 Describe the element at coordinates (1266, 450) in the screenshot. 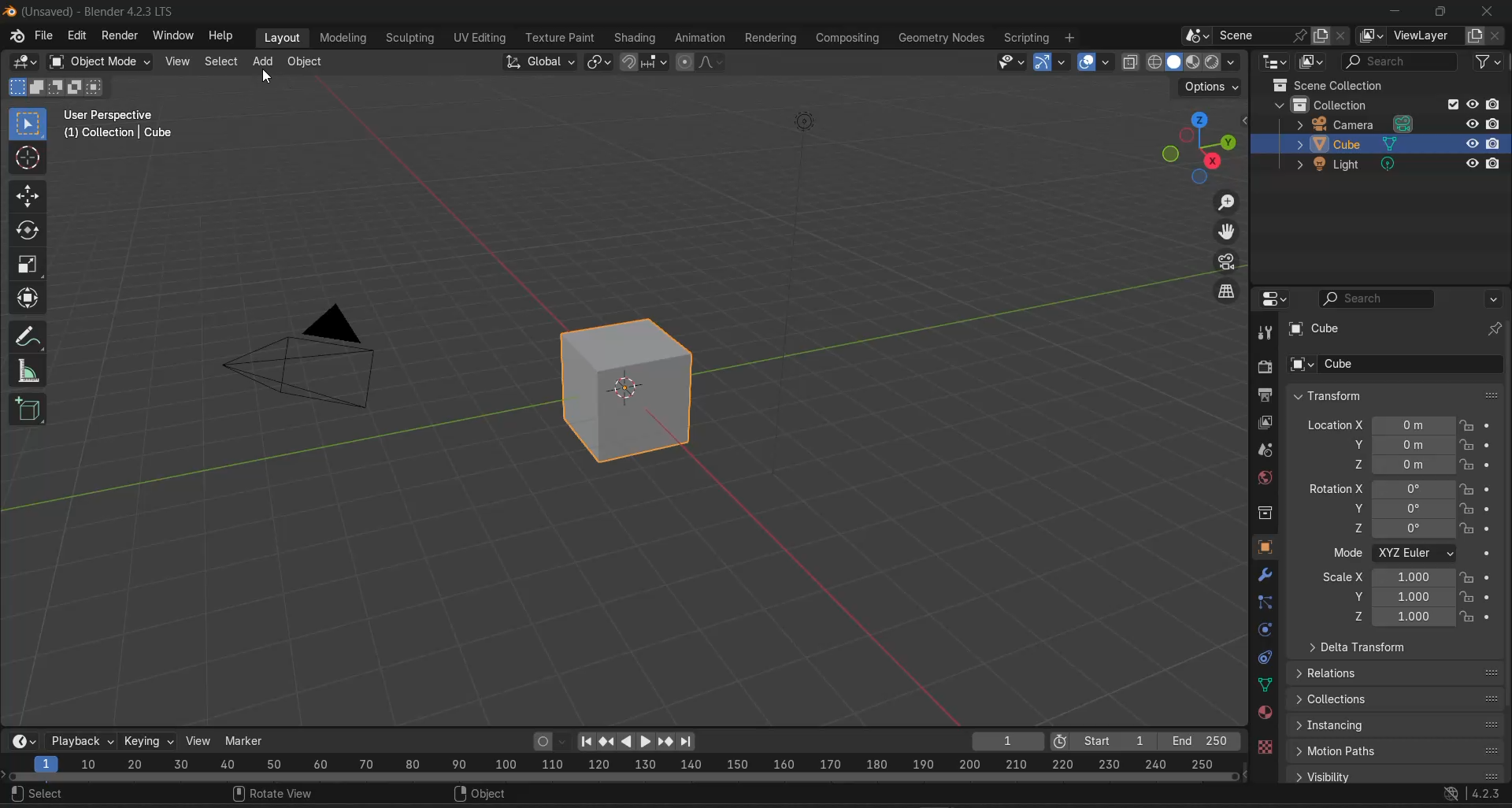

I see `scene` at that location.